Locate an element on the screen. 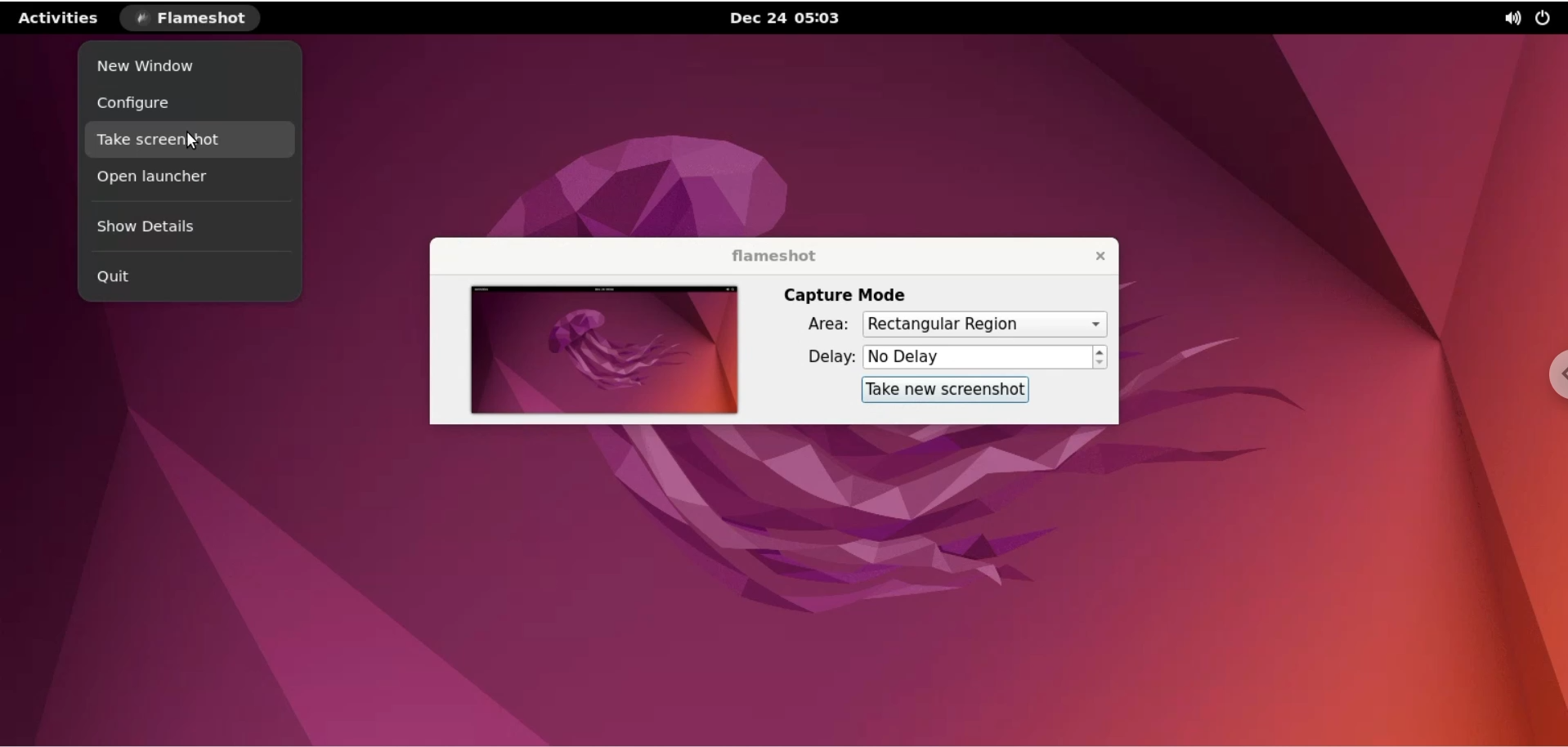  close is located at coordinates (1087, 257).